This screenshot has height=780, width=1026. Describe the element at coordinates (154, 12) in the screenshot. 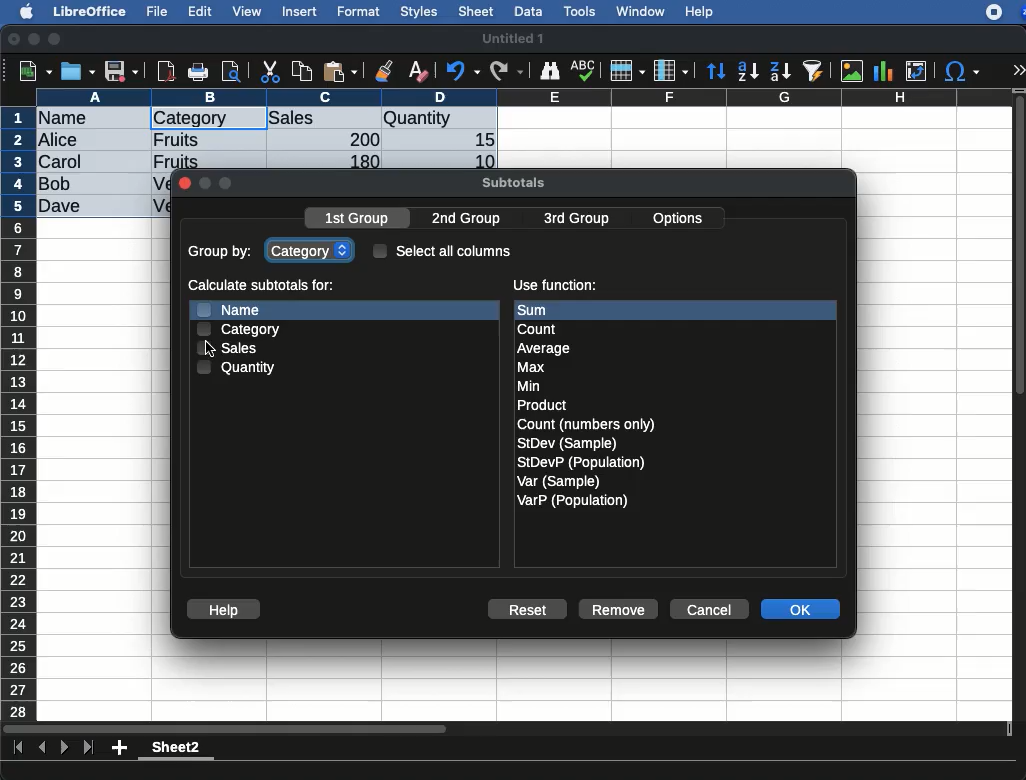

I see `file` at that location.